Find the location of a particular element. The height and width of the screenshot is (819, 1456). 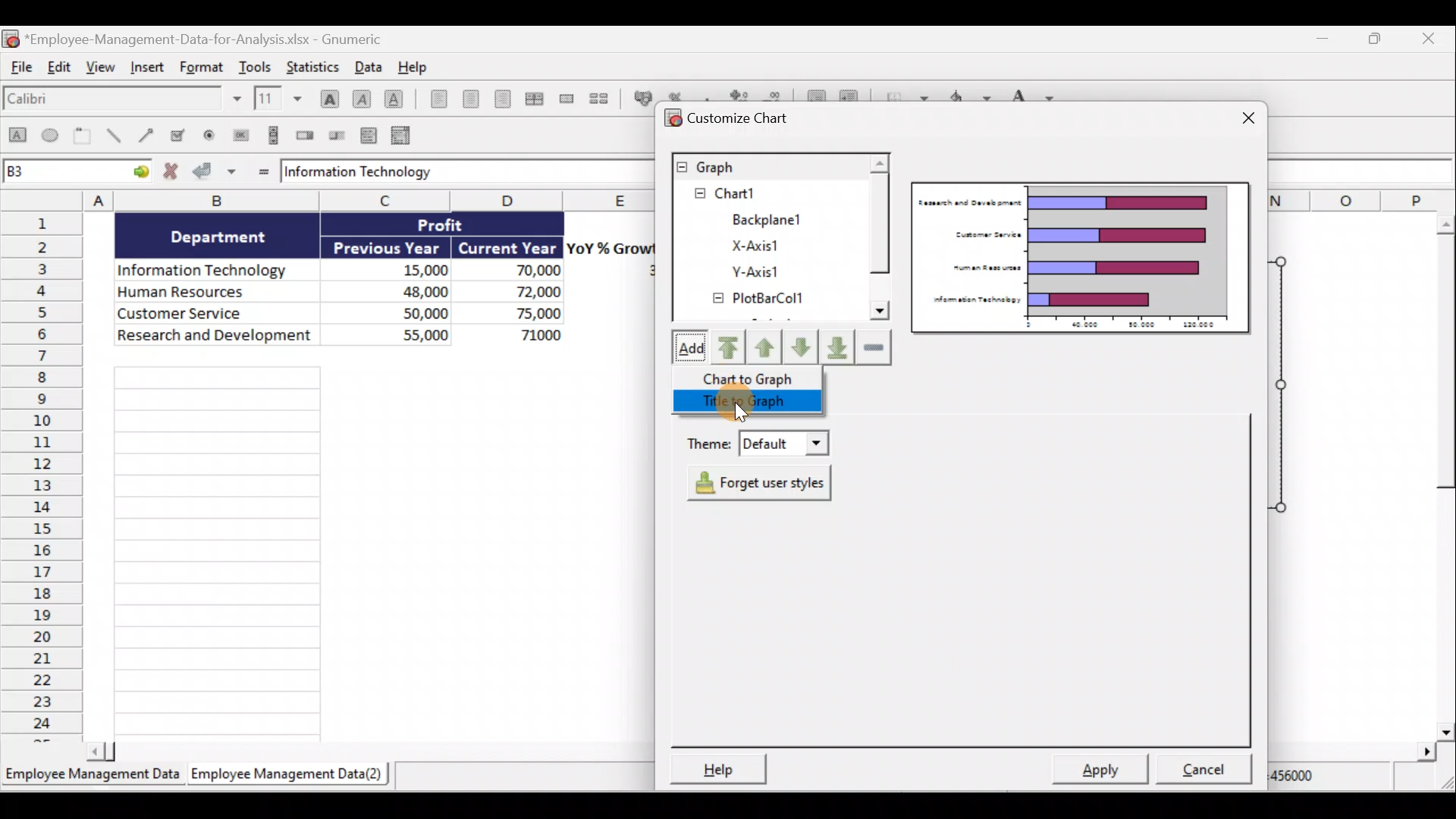

Customer Service is located at coordinates (220, 315).